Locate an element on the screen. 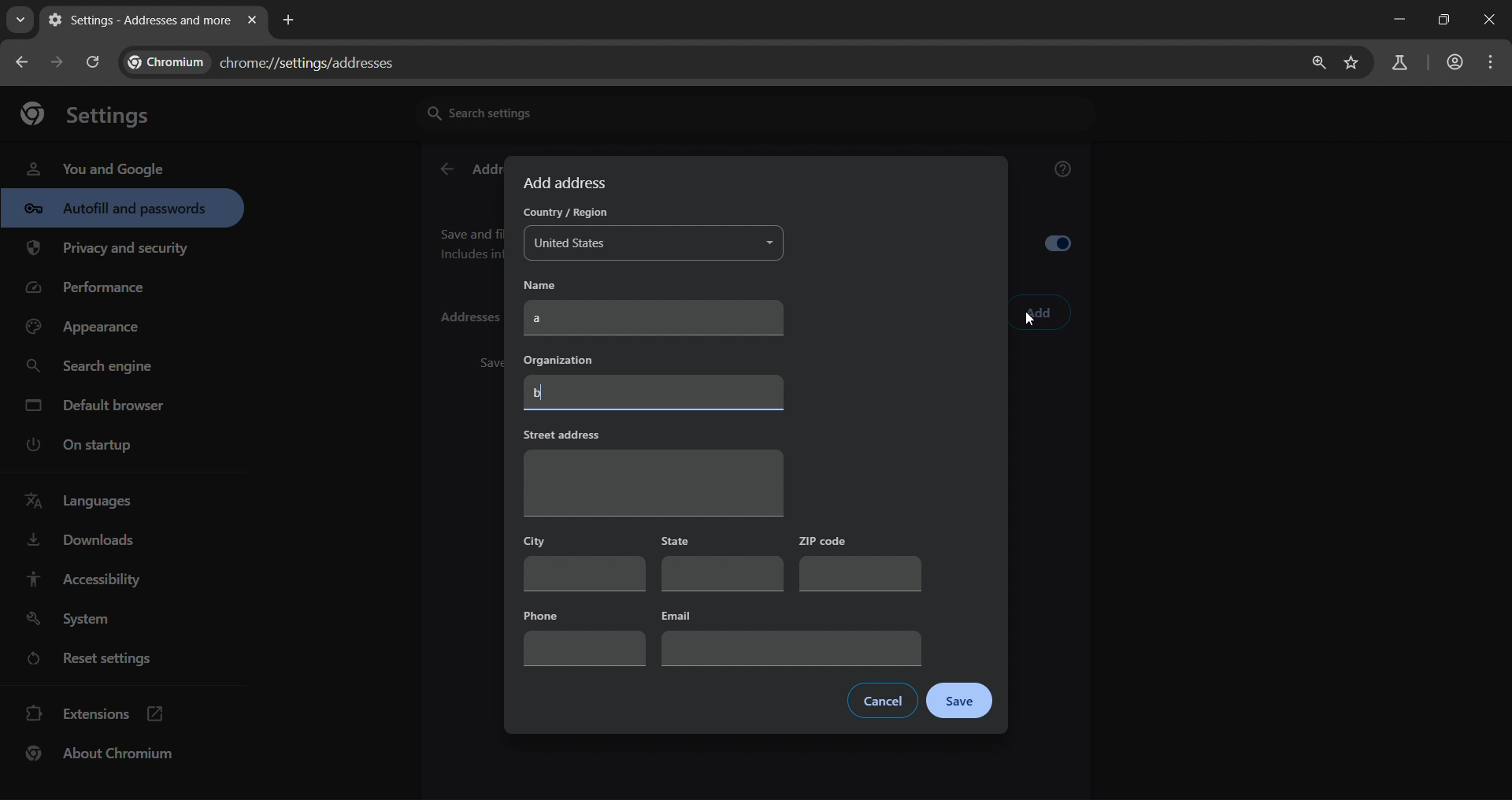 The width and height of the screenshot is (1512, 800). state is located at coordinates (719, 565).